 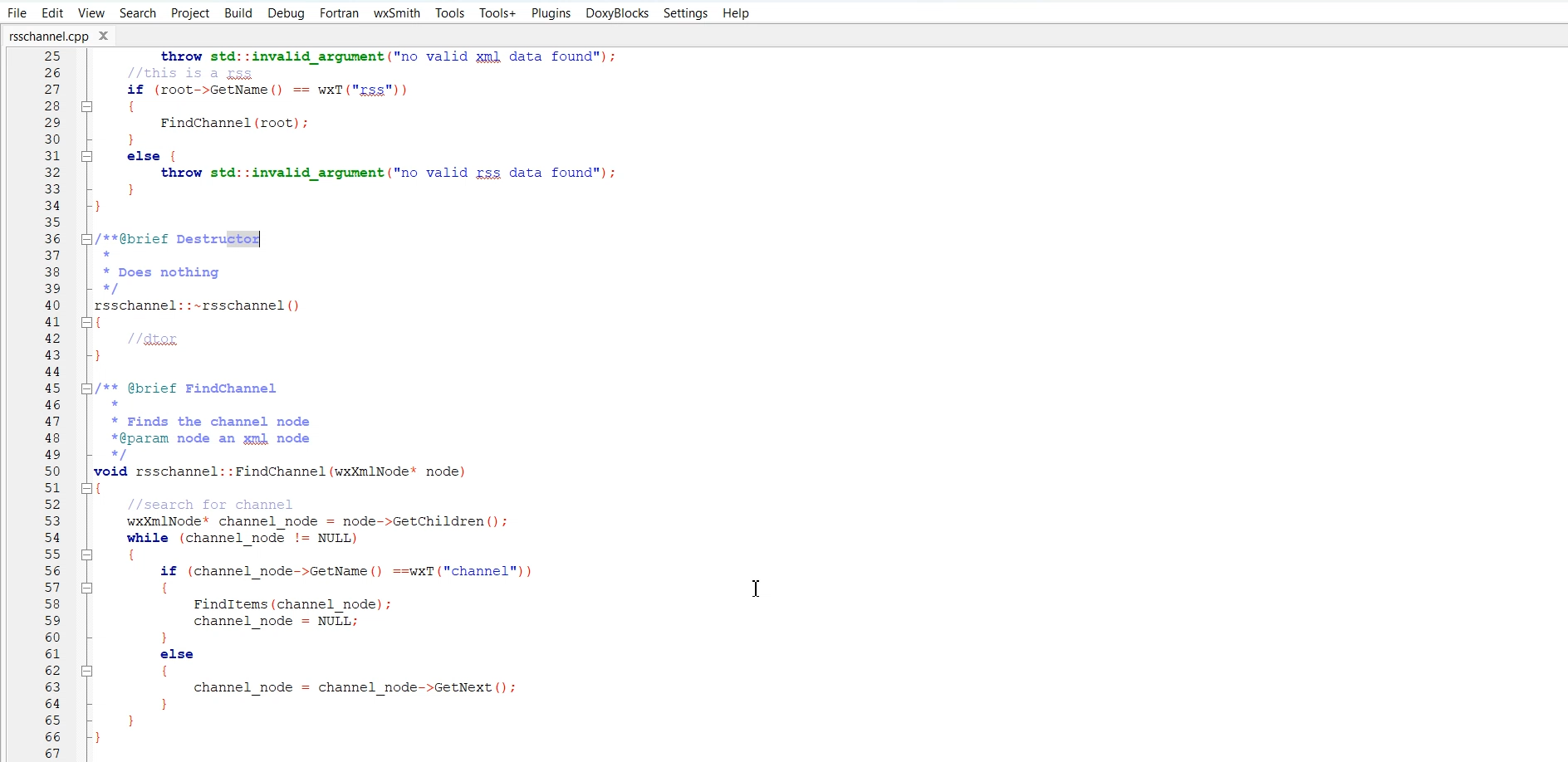 I want to click on Collapse, so click(x=88, y=239).